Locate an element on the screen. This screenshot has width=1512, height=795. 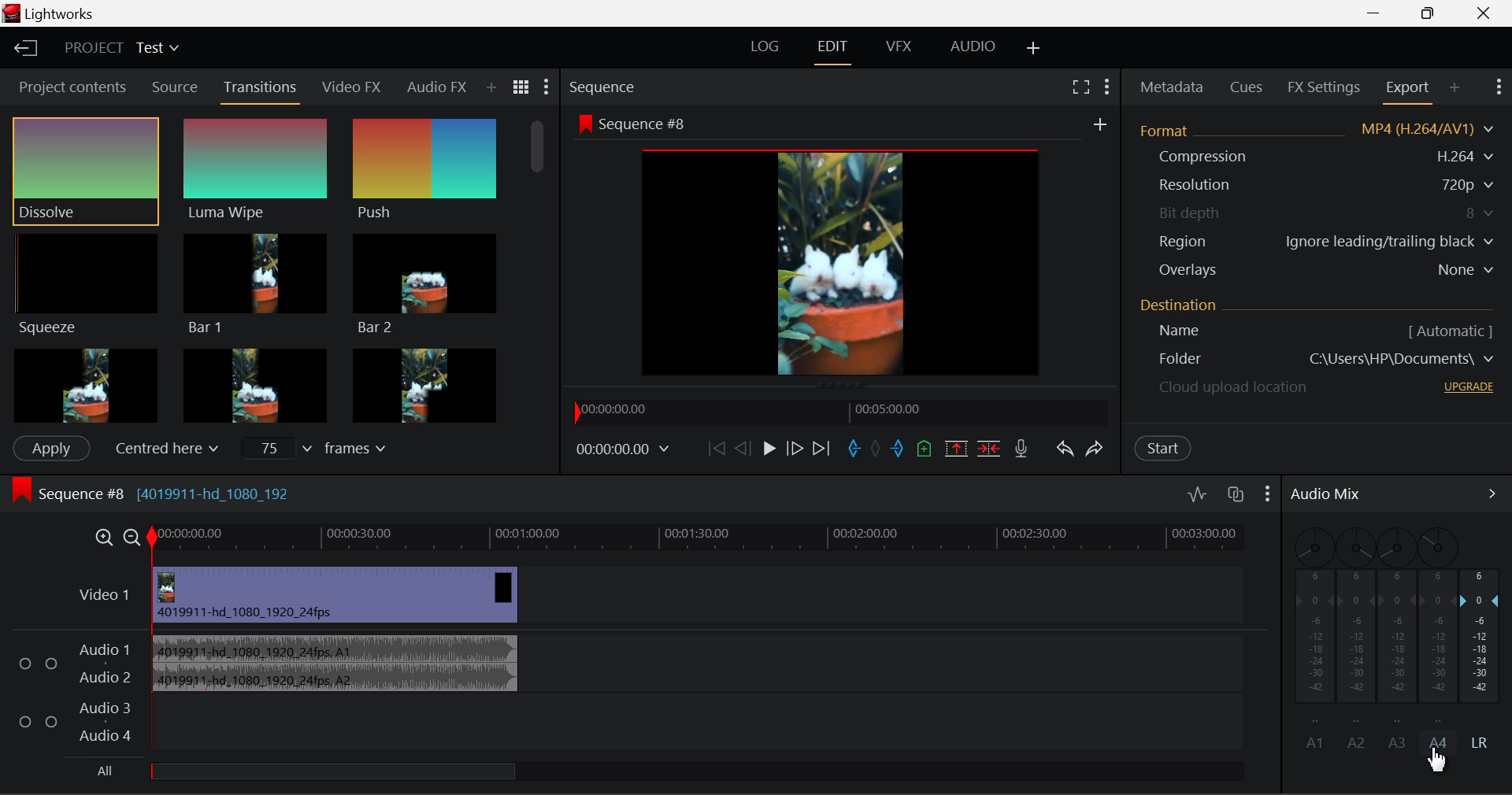
Toggle auto track sync is located at coordinates (1233, 499).